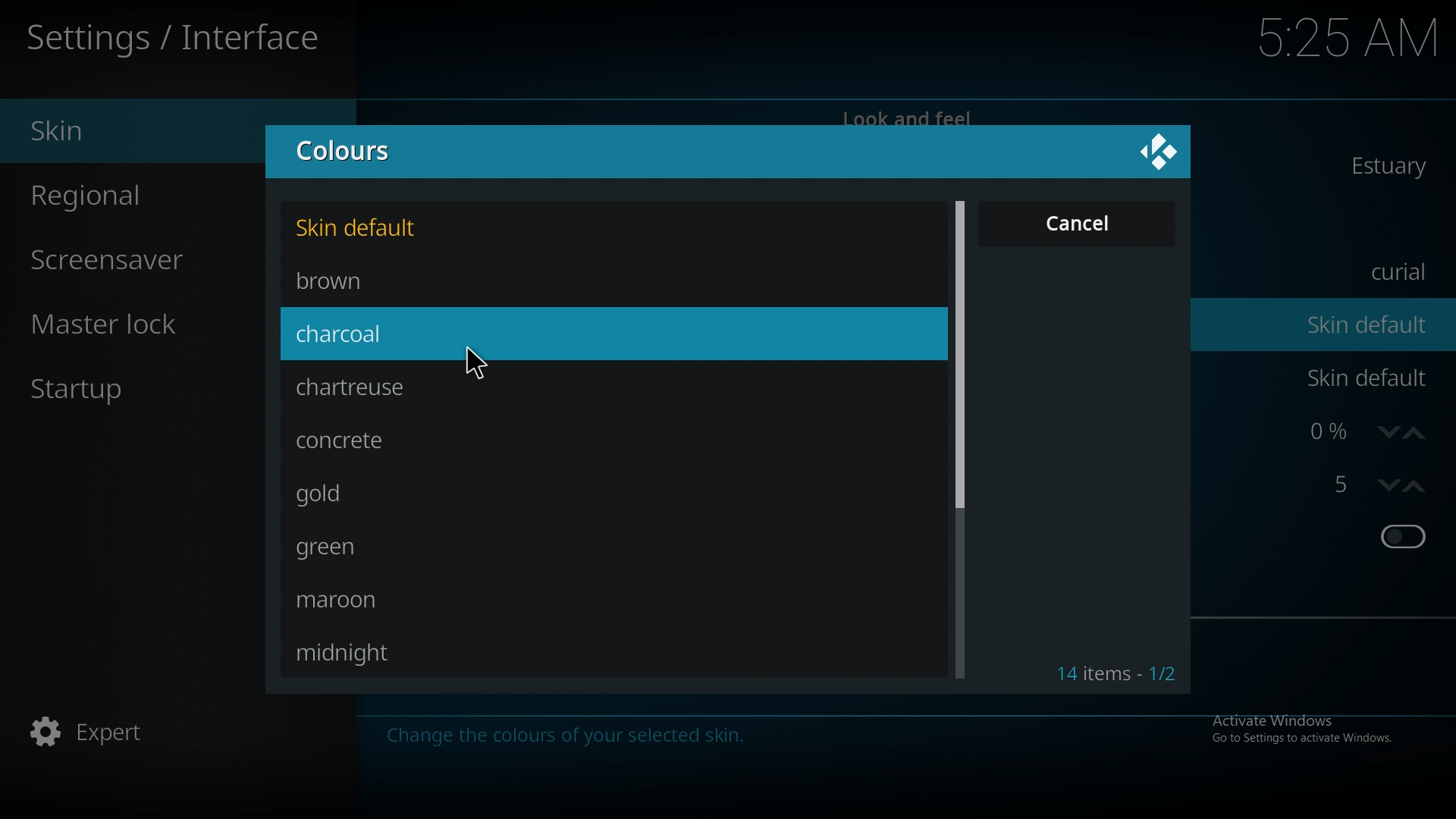 The height and width of the screenshot is (819, 1456). I want to click on regional, so click(128, 196).